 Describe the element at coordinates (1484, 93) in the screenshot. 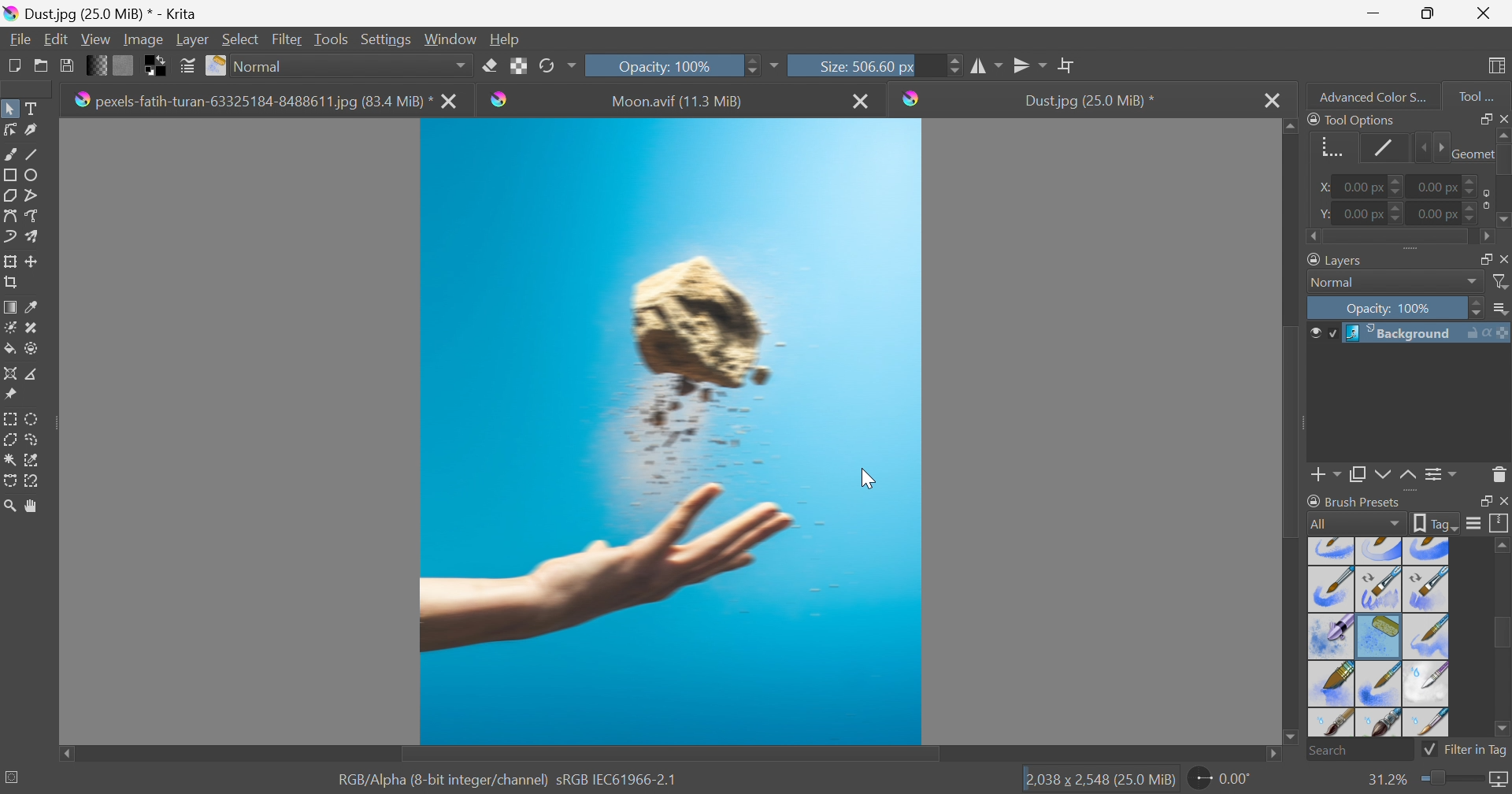

I see `Tool...` at that location.